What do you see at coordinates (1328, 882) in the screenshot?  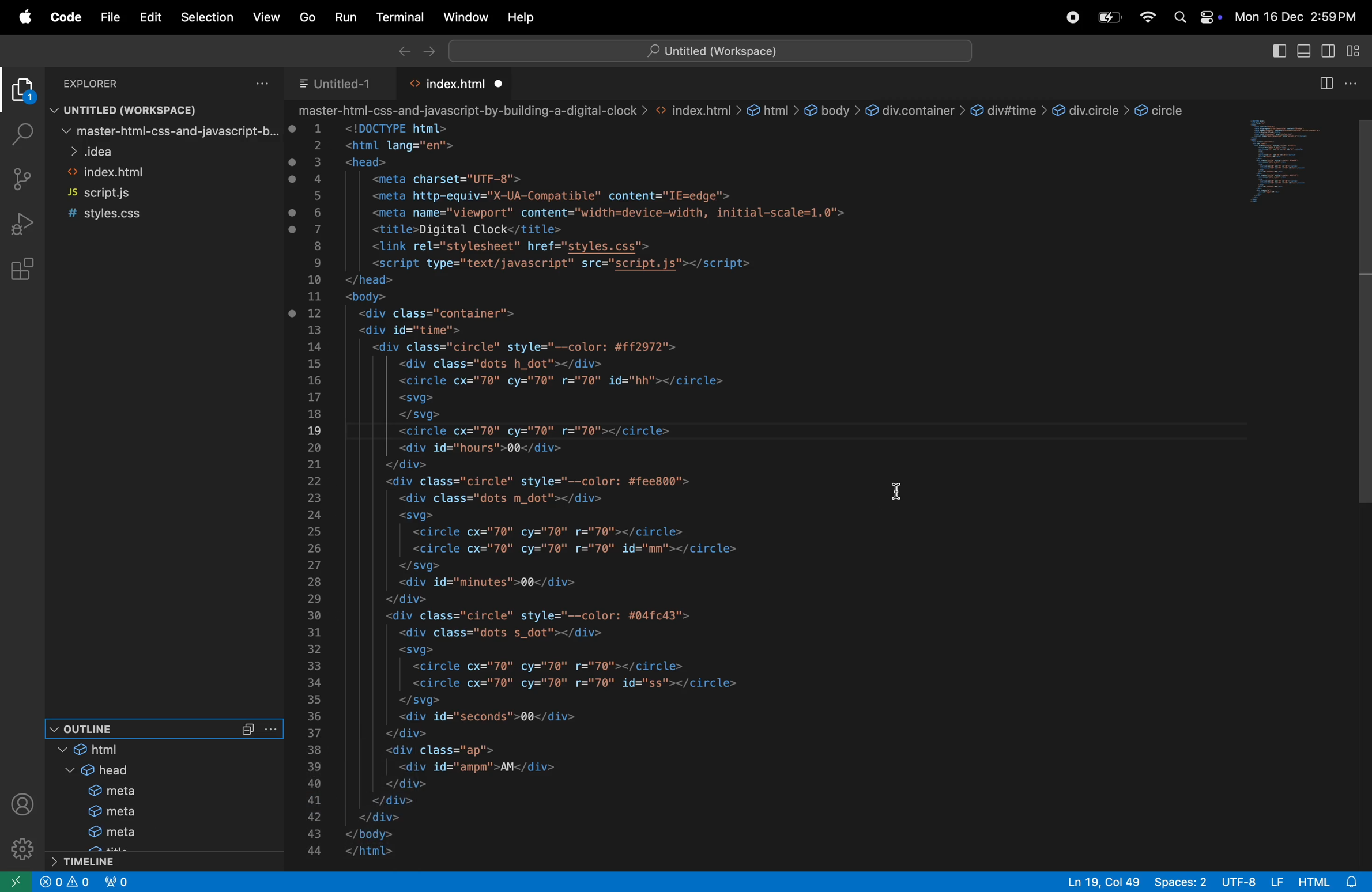 I see `html alert` at bounding box center [1328, 882].